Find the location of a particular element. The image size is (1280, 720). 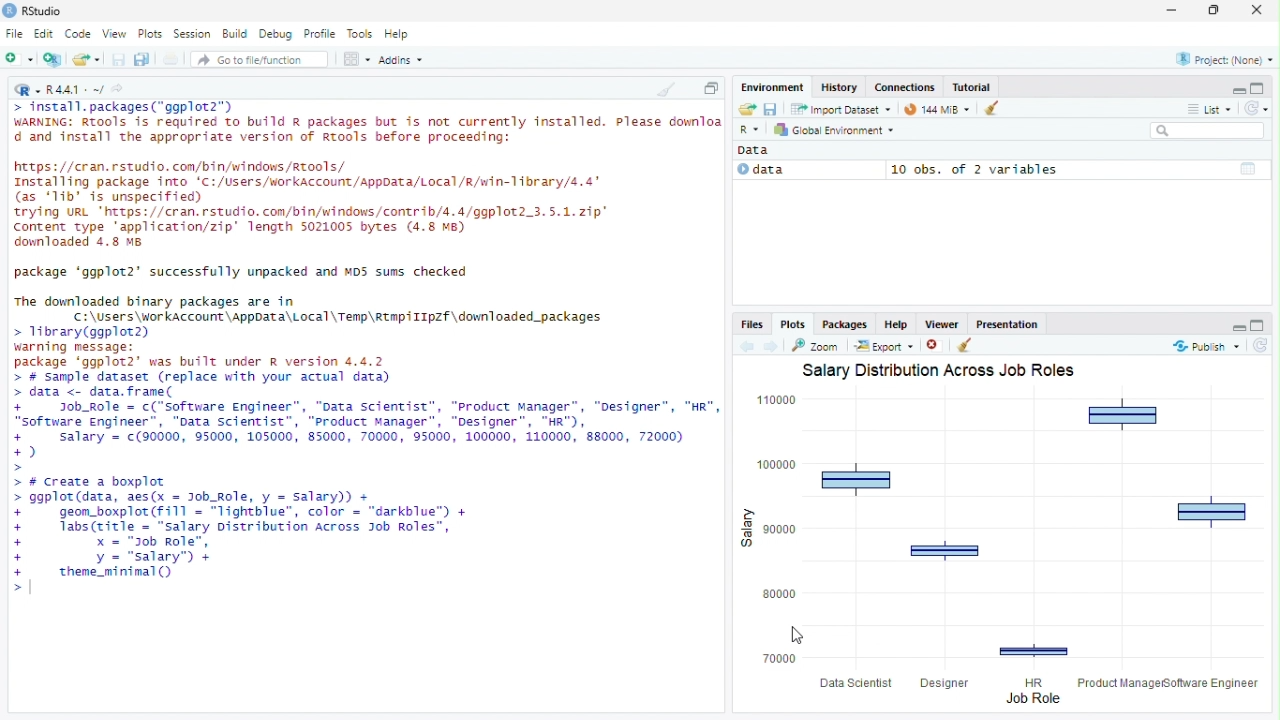

minimize is located at coordinates (1233, 326).